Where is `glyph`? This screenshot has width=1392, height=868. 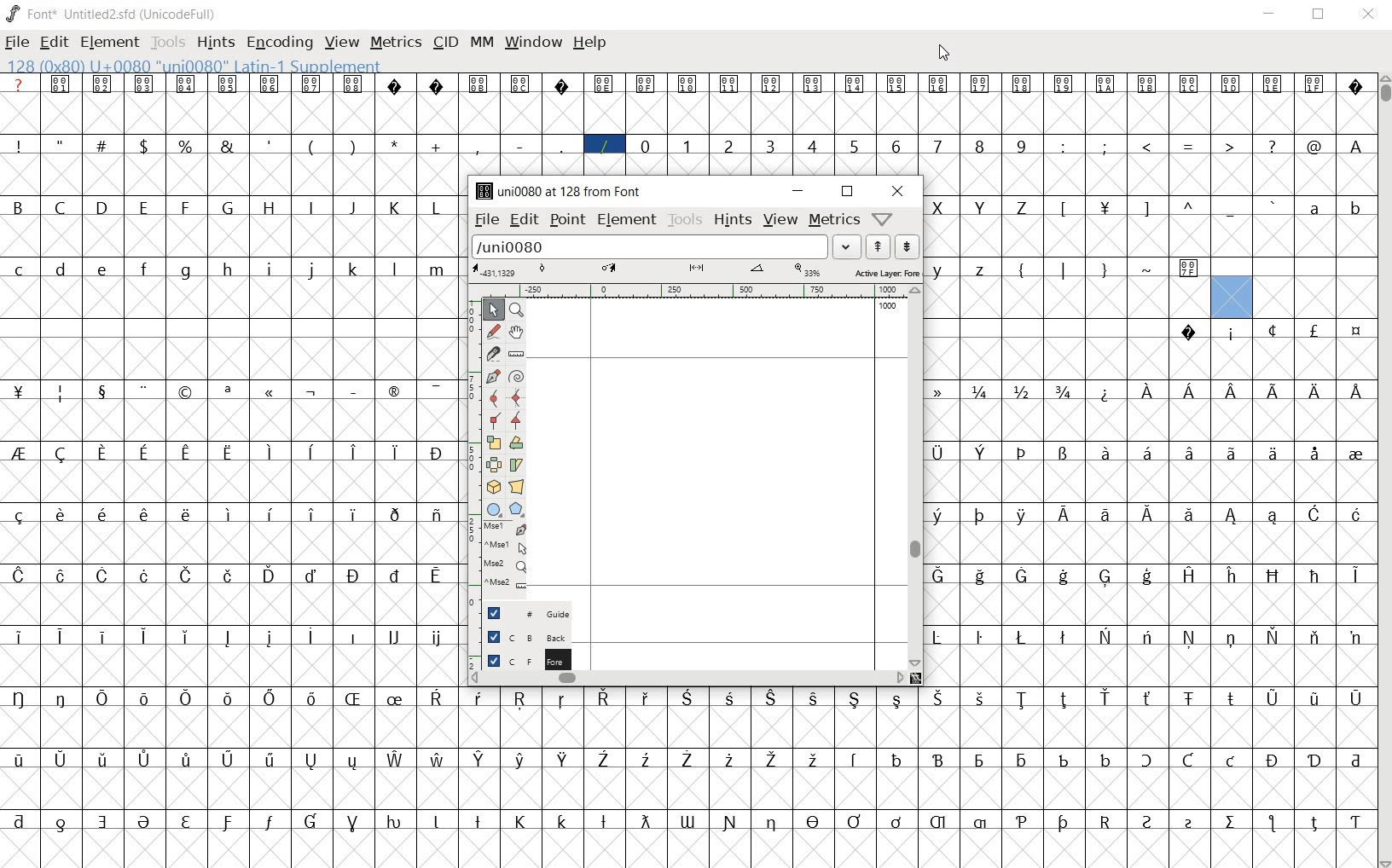
glyph is located at coordinates (1064, 761).